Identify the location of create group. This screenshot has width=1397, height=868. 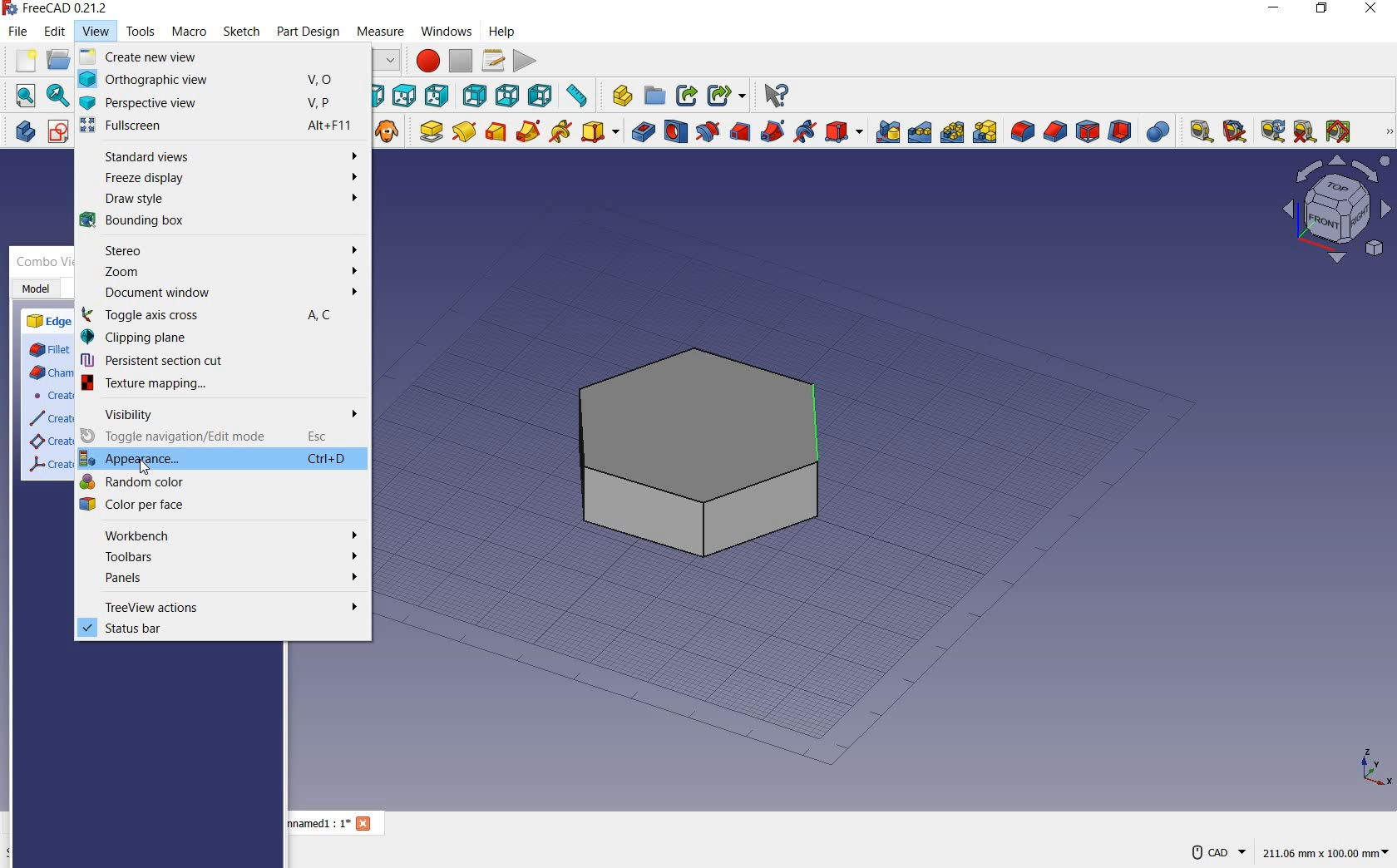
(655, 96).